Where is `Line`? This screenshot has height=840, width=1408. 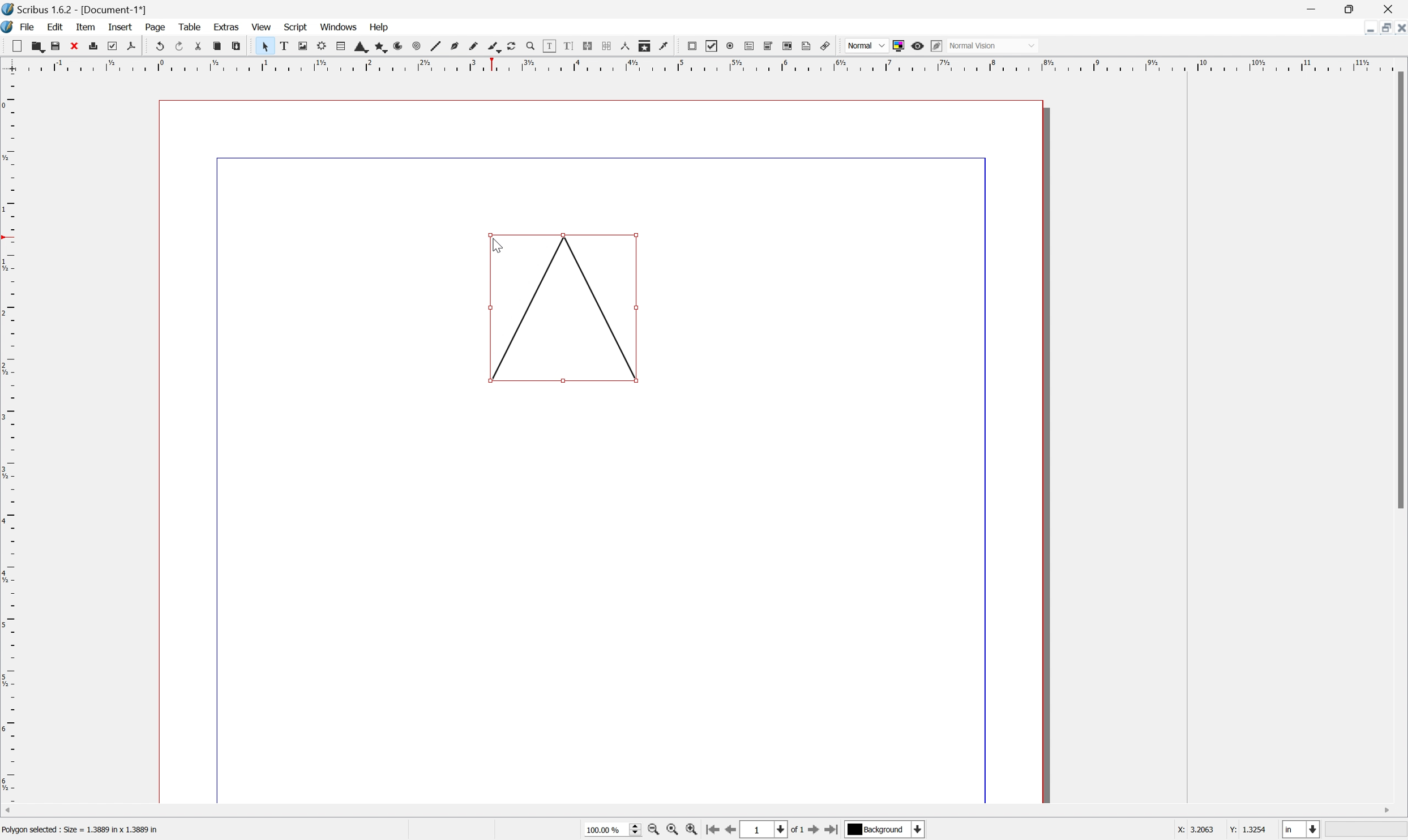 Line is located at coordinates (434, 46).